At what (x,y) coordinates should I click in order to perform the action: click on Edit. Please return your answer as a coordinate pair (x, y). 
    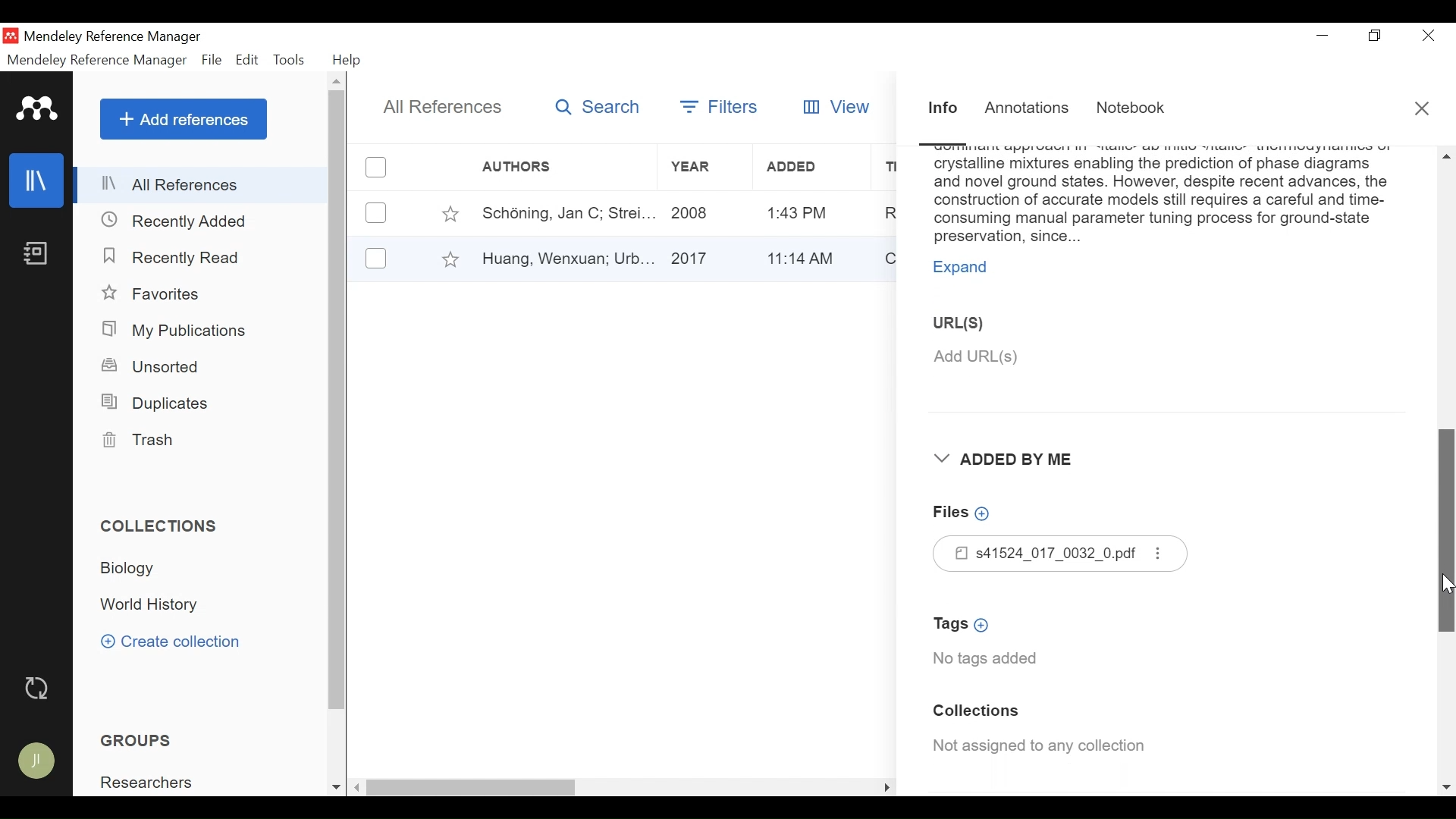
    Looking at the image, I should click on (247, 60).